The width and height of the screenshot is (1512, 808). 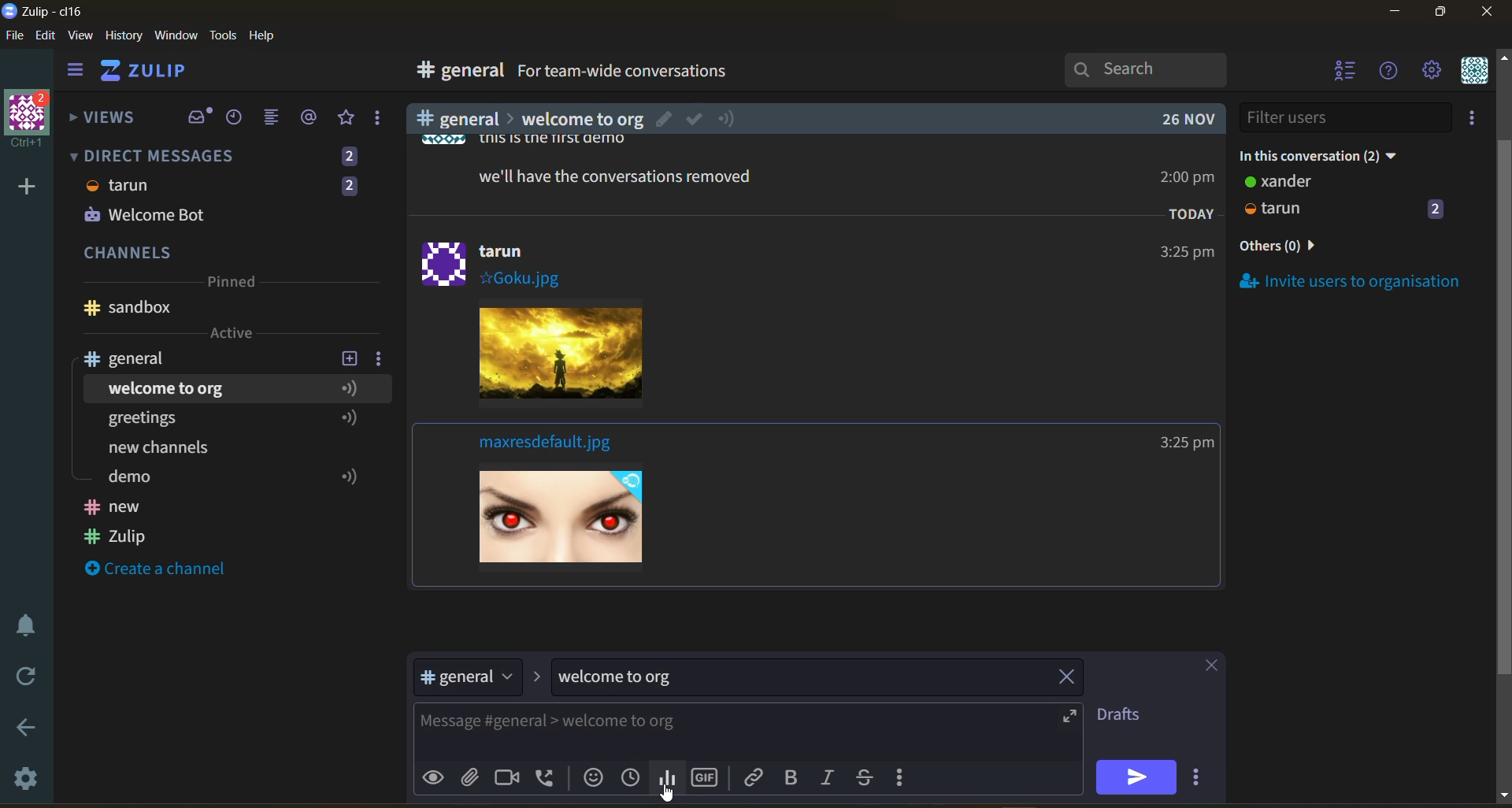 I want to click on text box, so click(x=705, y=732).